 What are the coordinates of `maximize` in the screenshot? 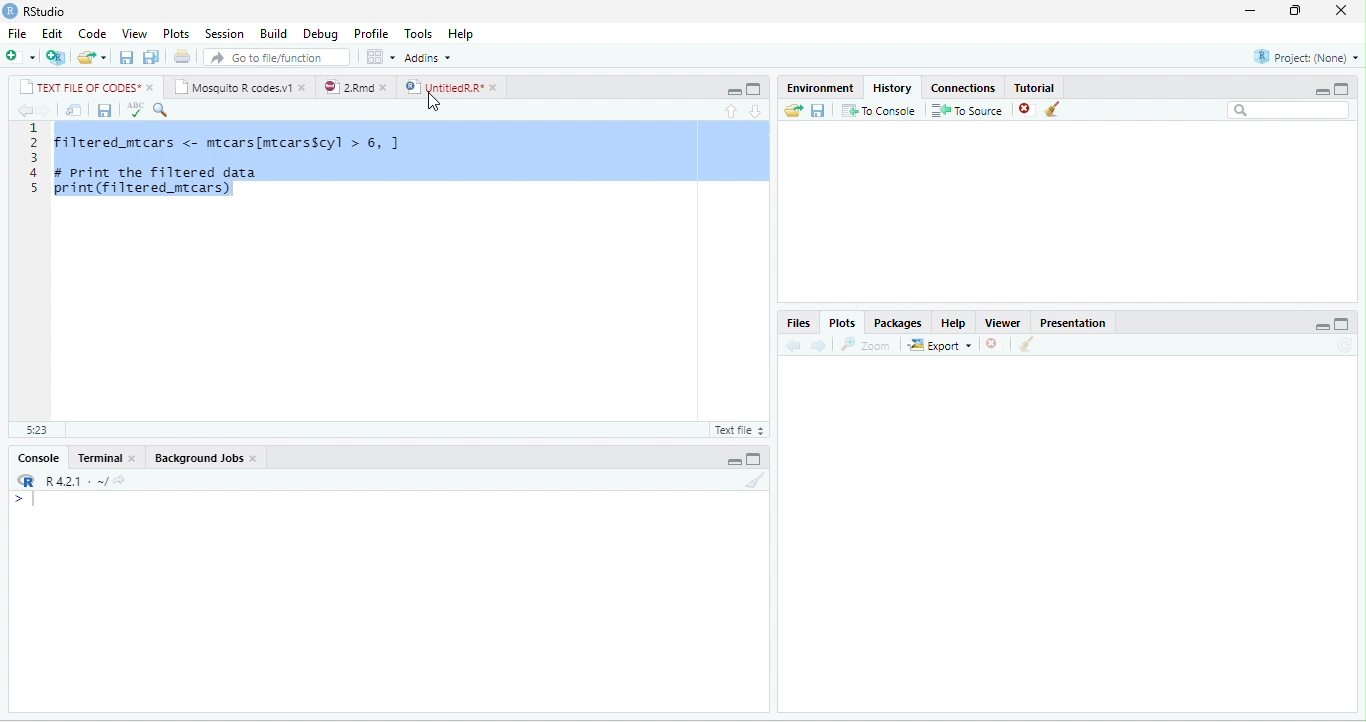 It's located at (1341, 89).